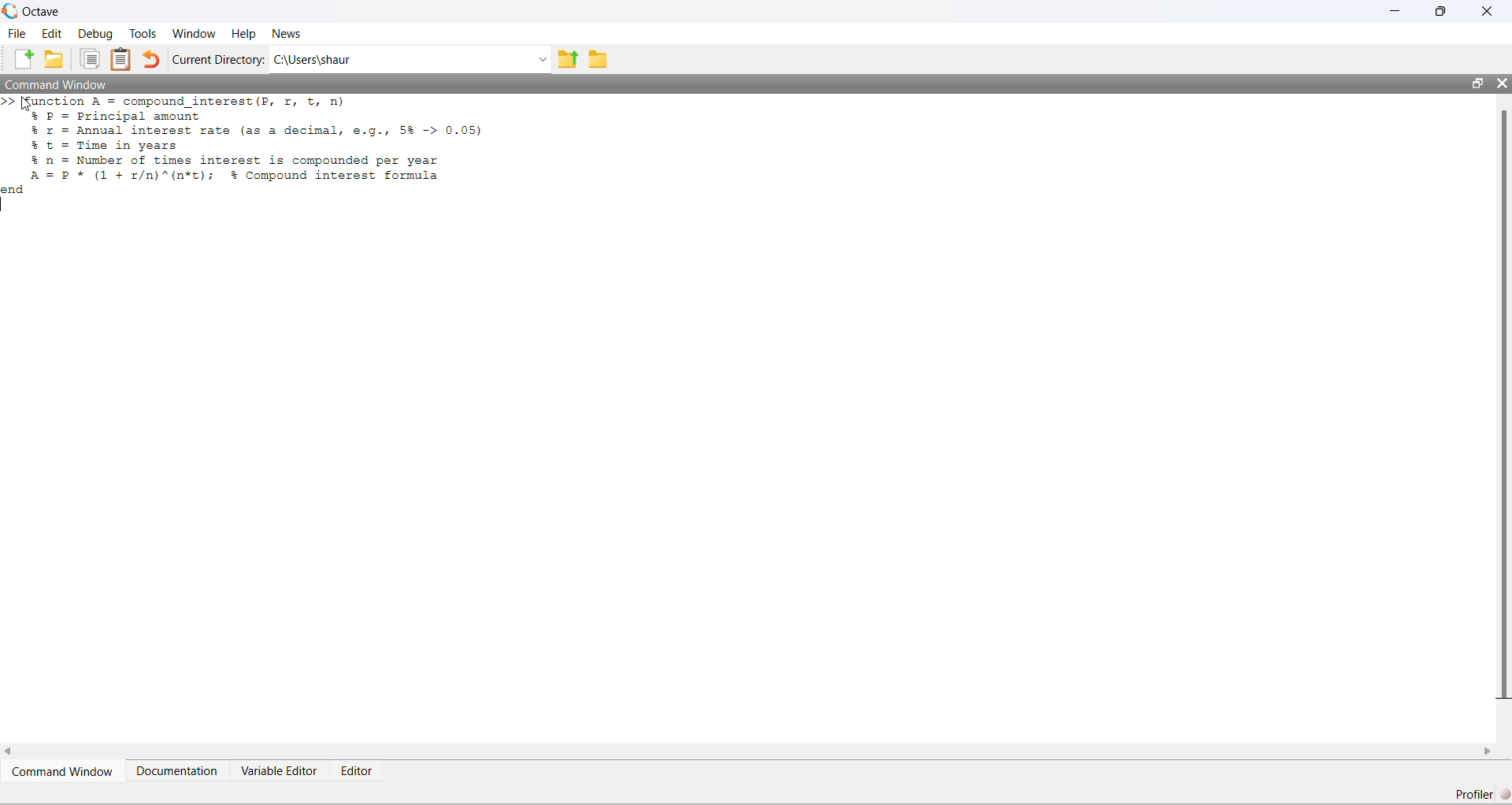 The width and height of the screenshot is (1512, 805). Describe the element at coordinates (1480, 793) in the screenshot. I see `Profiler` at that location.